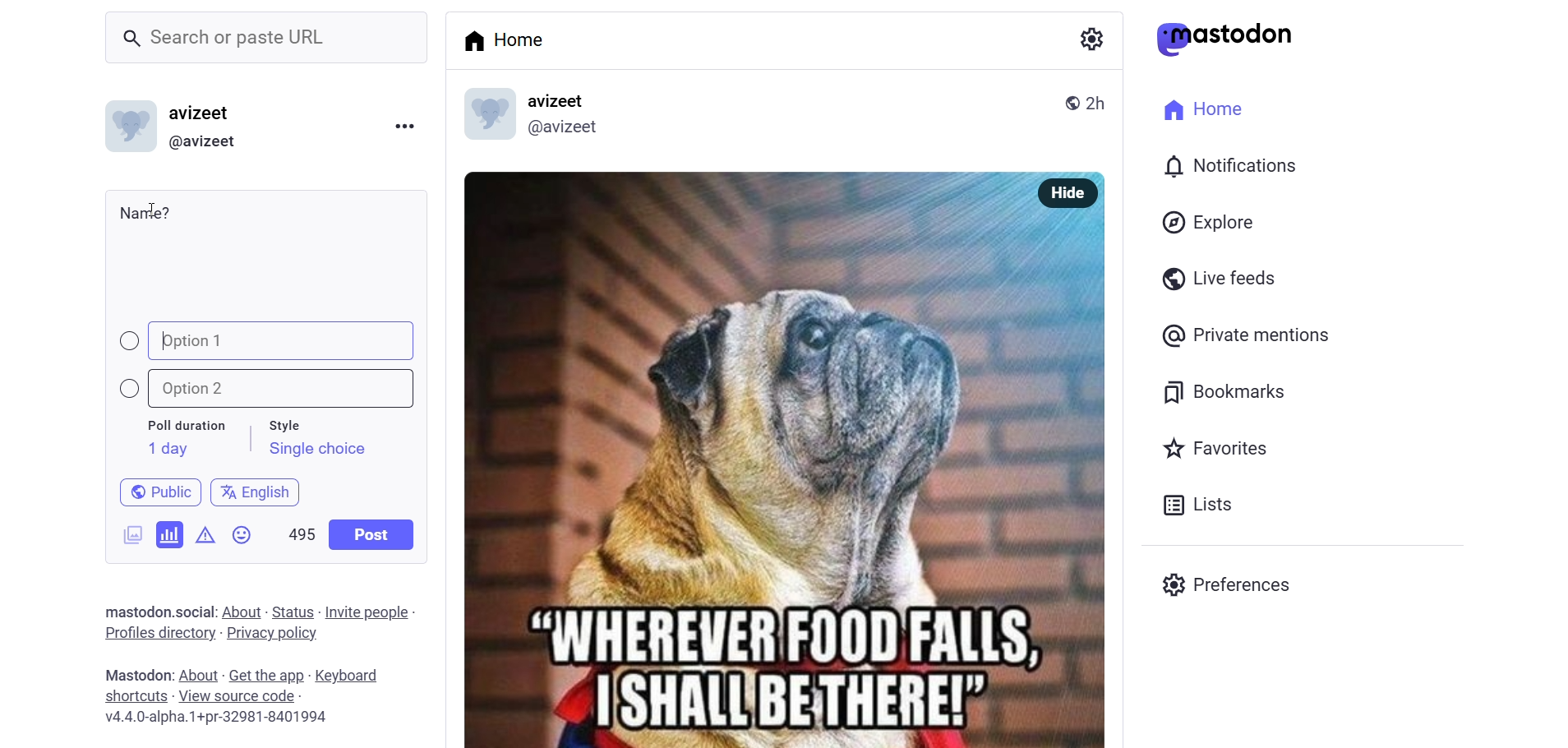  I want to click on more, so click(404, 124).